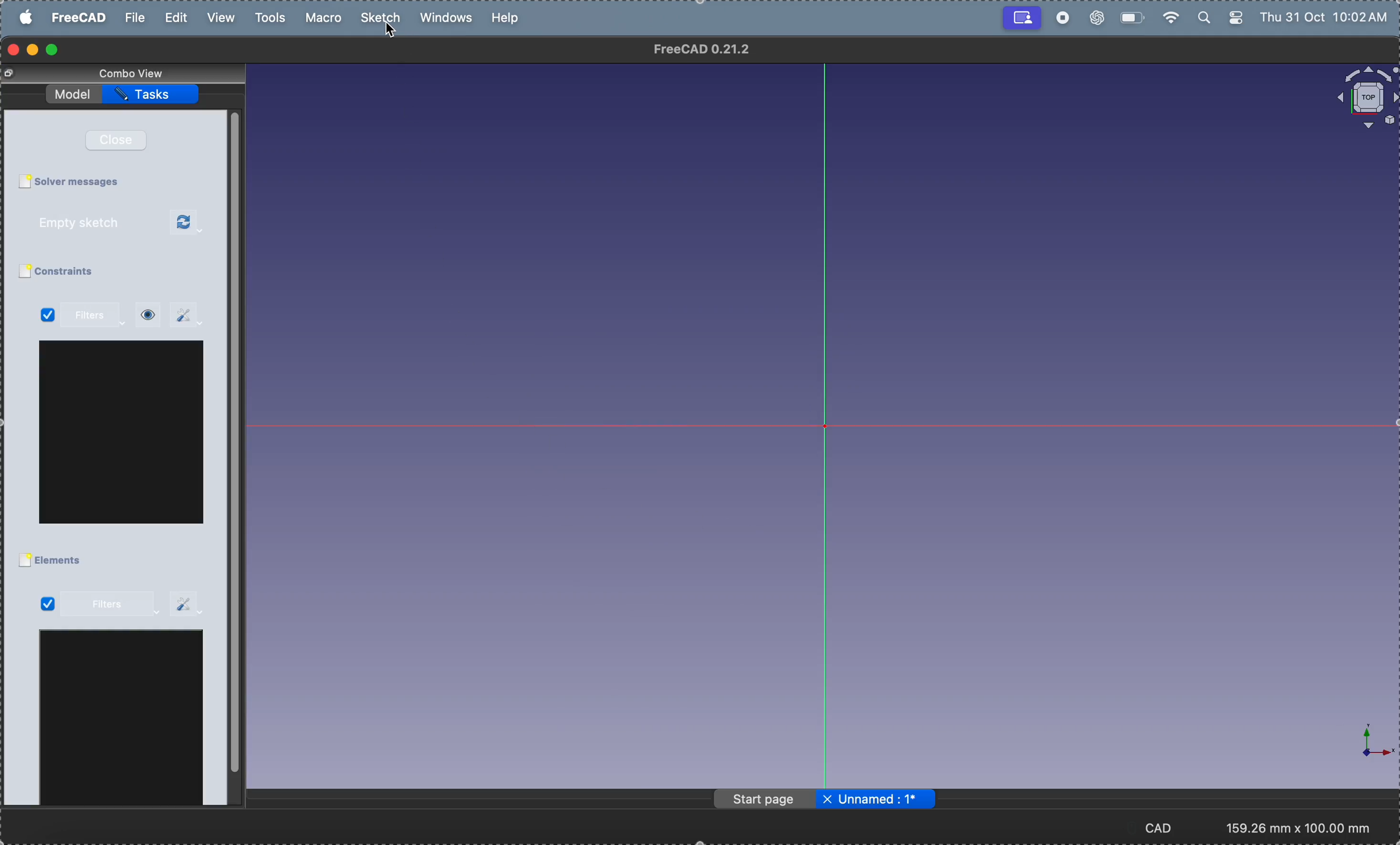  I want to click on apple menu, so click(27, 17).